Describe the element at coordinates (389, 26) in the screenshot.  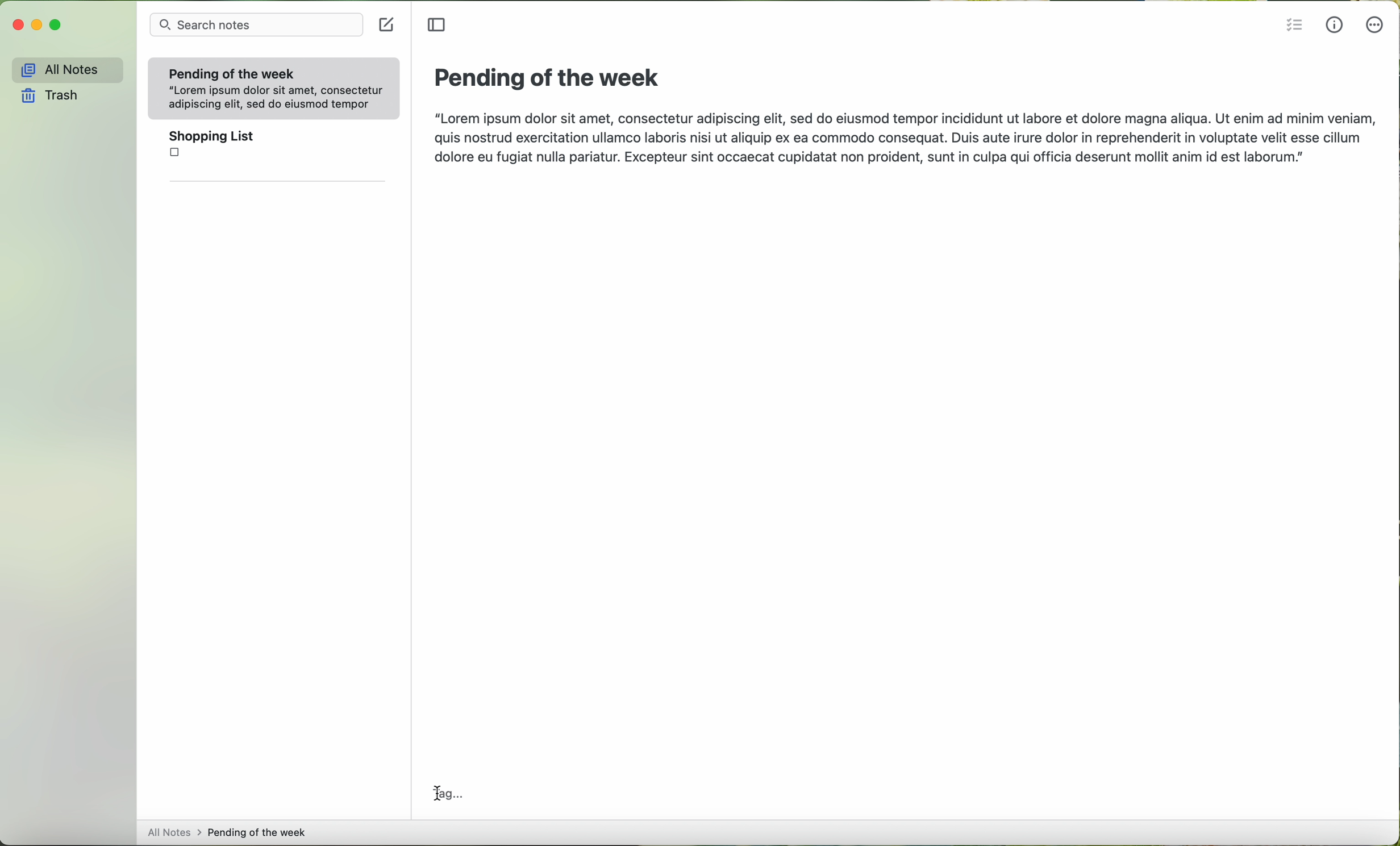
I see `create a note` at that location.